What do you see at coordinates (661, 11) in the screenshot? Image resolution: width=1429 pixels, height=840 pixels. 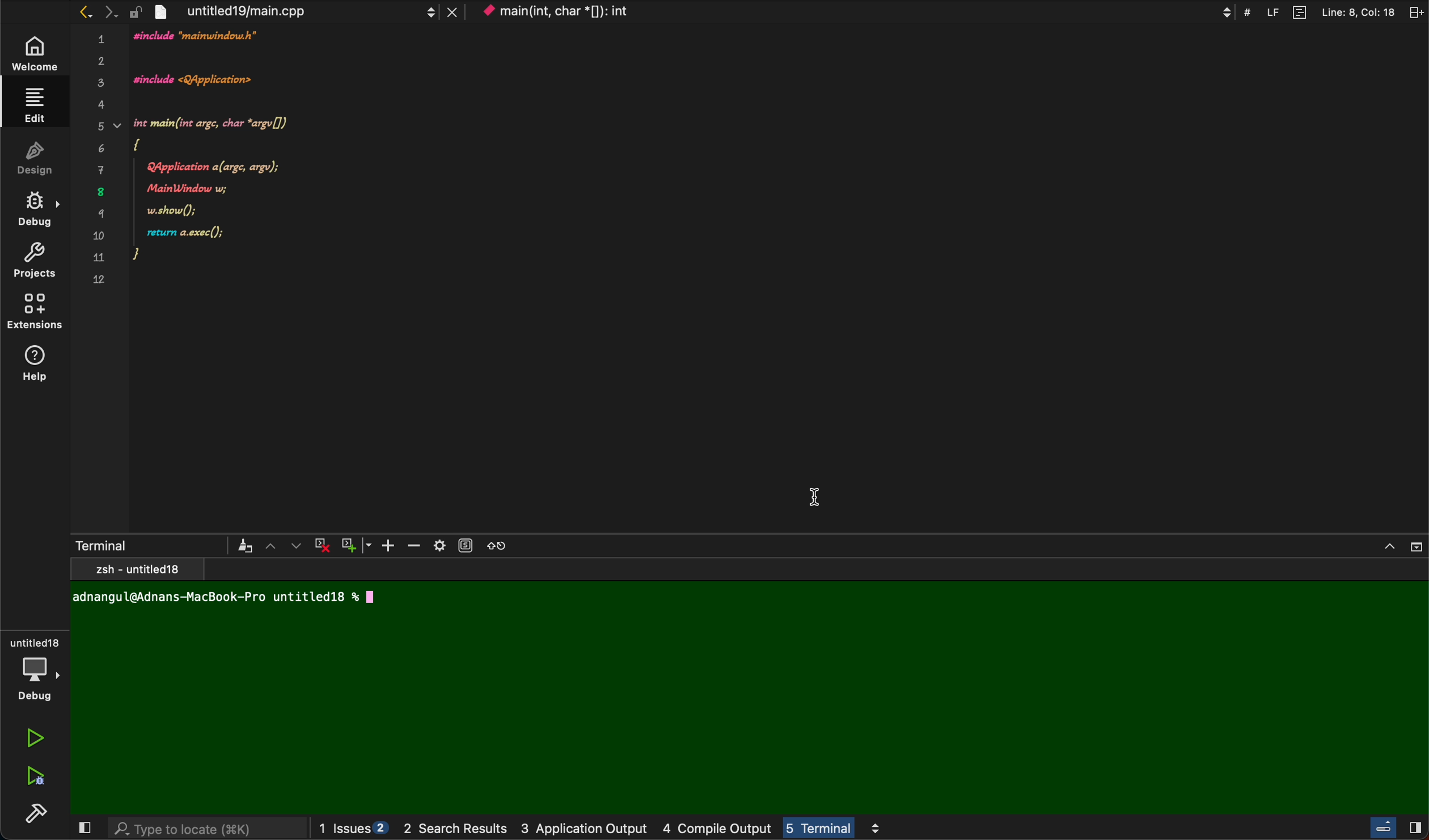 I see `context` at bounding box center [661, 11].